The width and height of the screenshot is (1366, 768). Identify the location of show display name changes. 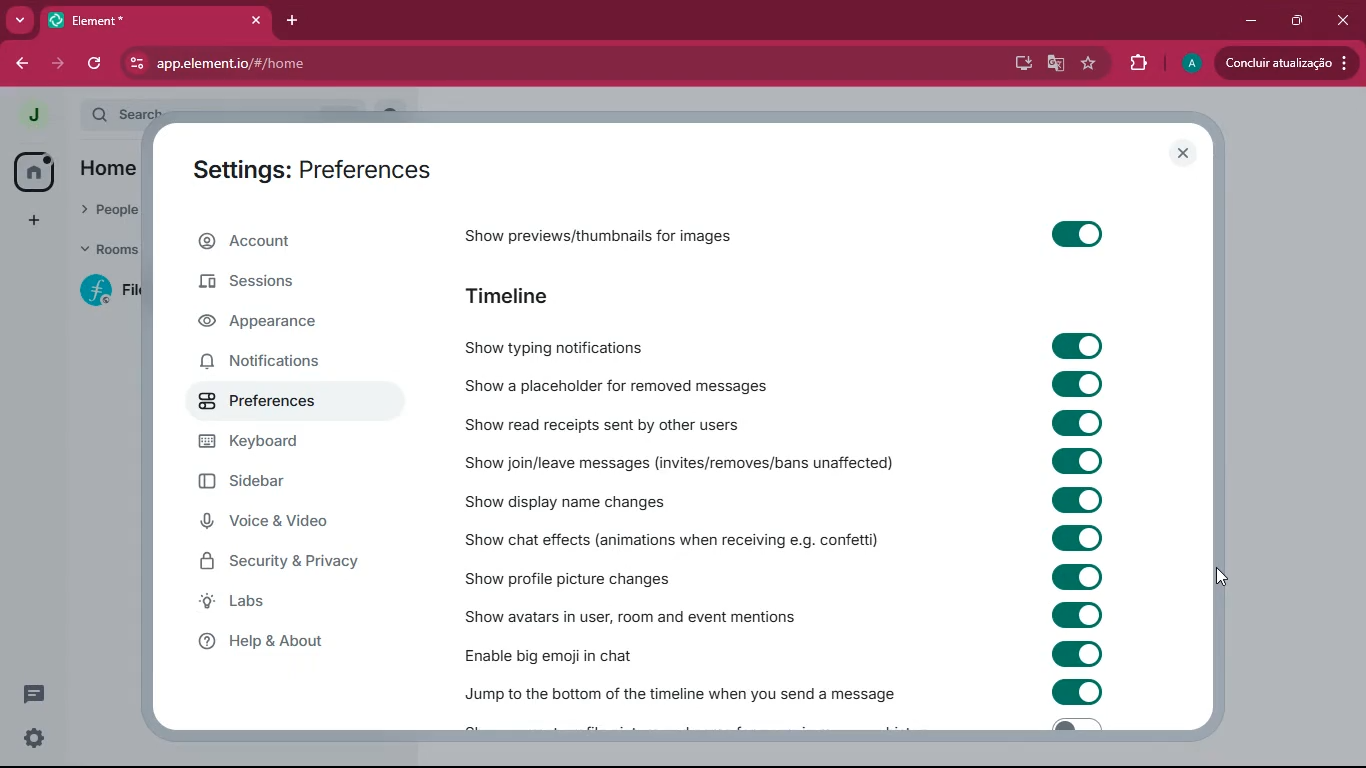
(576, 499).